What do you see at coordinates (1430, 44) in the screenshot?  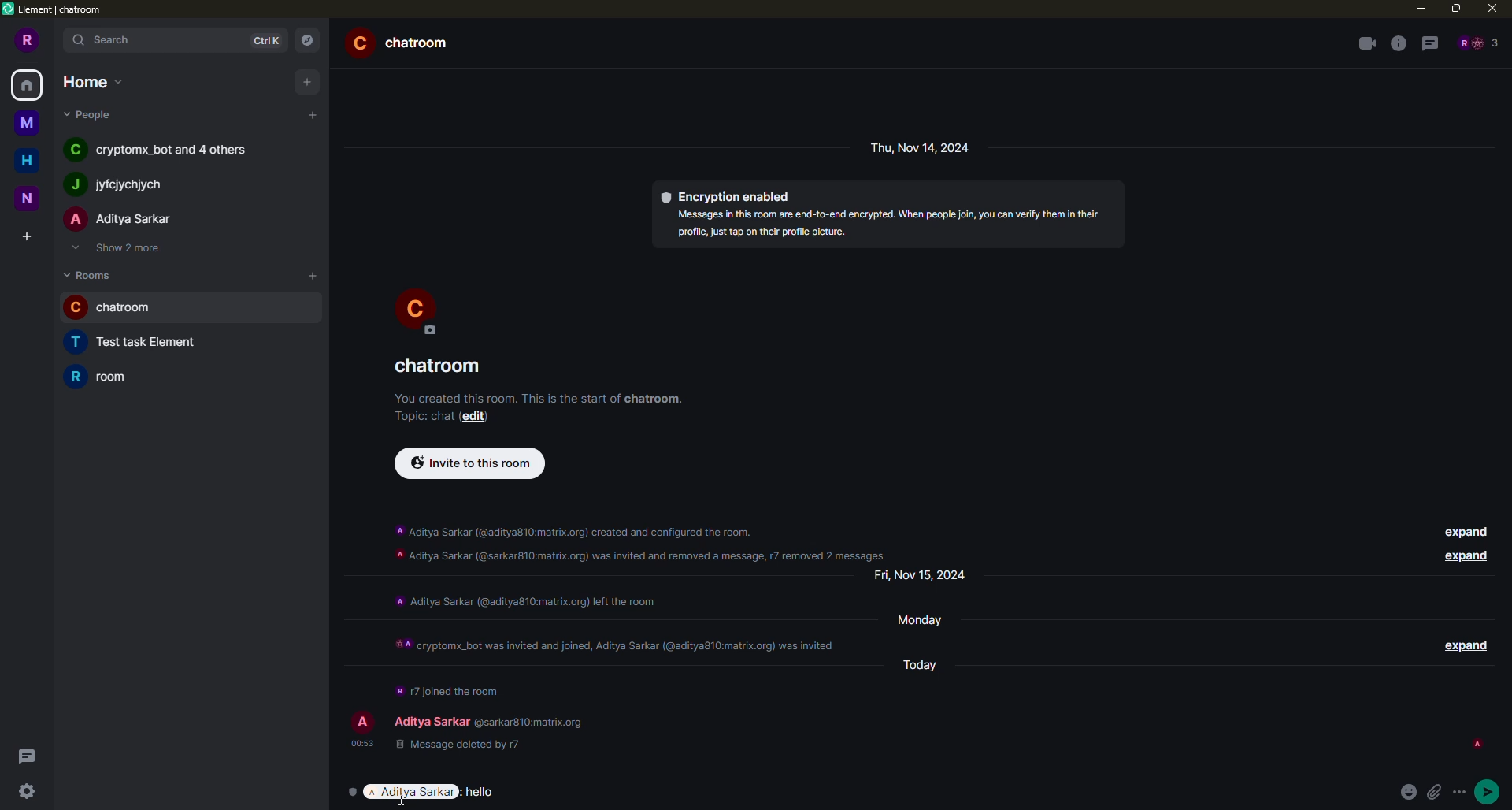 I see `threads` at bounding box center [1430, 44].